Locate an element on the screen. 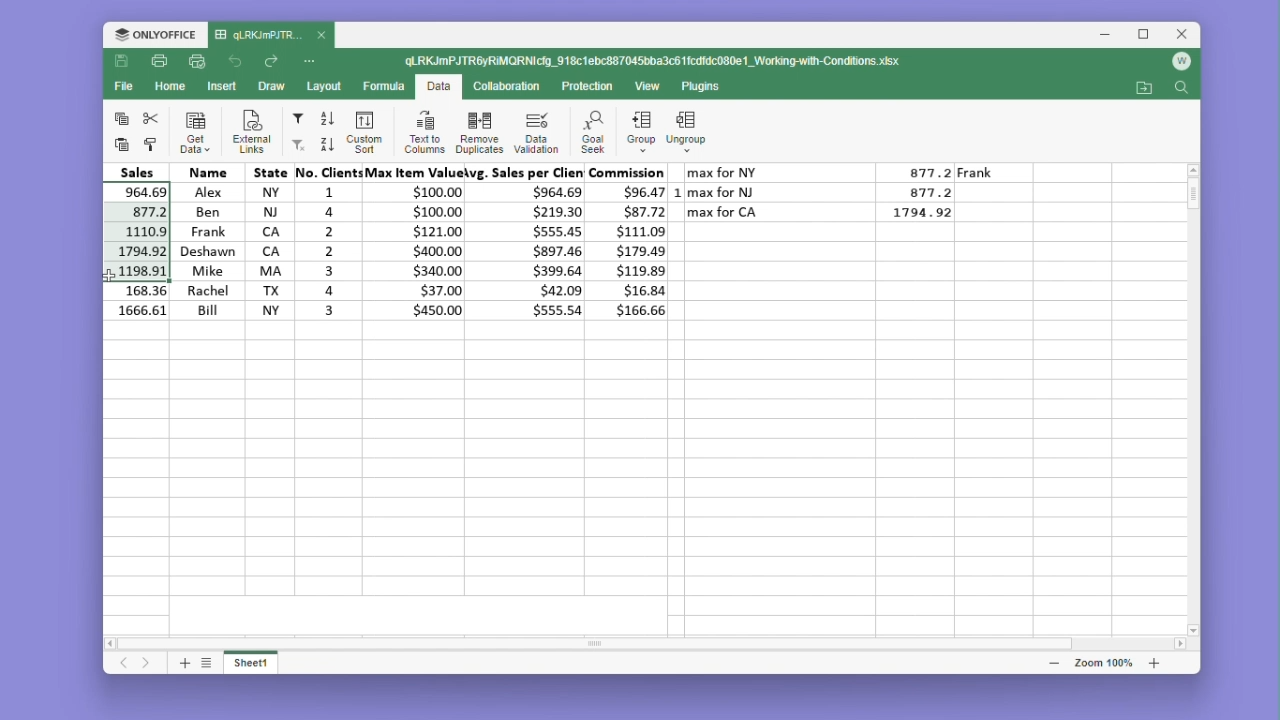 The width and height of the screenshot is (1280, 720).  is located at coordinates (172, 86).